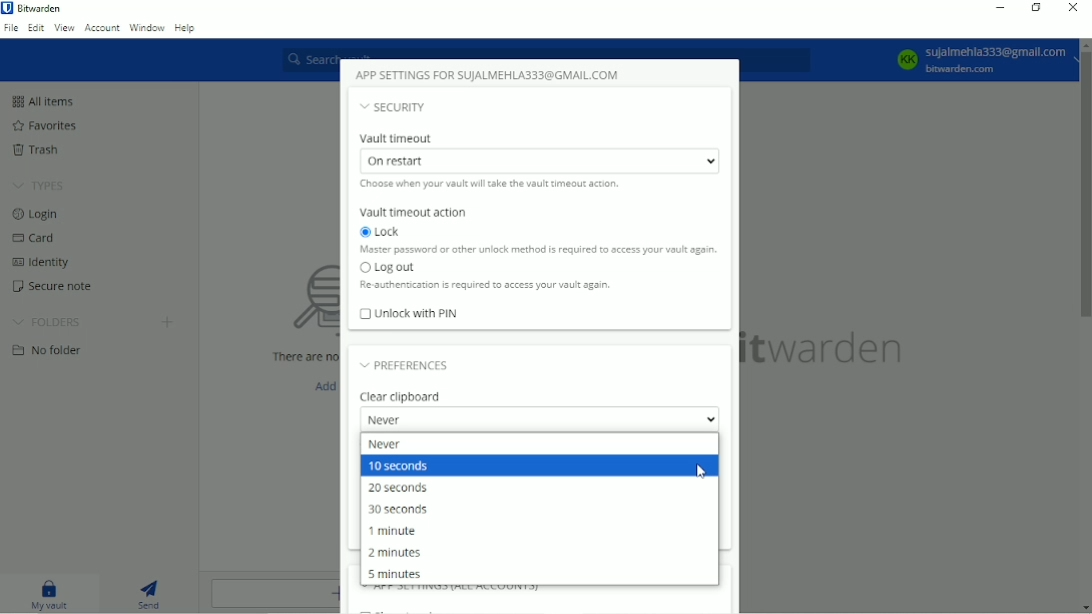 The width and height of the screenshot is (1092, 614). I want to click on 10 seconds, so click(401, 467).